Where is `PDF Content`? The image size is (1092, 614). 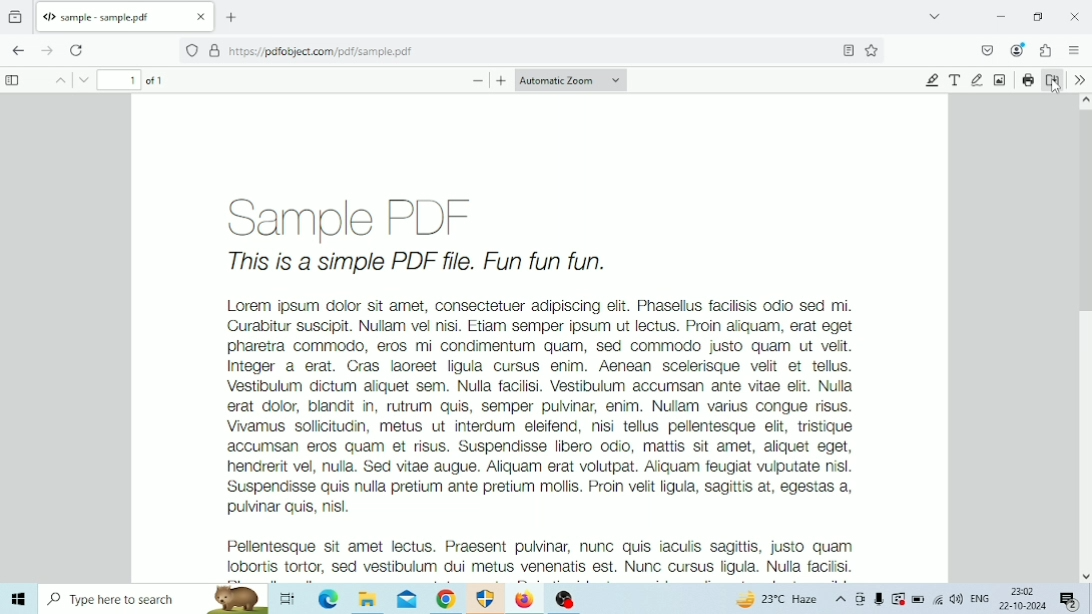
PDF Content is located at coordinates (540, 338).